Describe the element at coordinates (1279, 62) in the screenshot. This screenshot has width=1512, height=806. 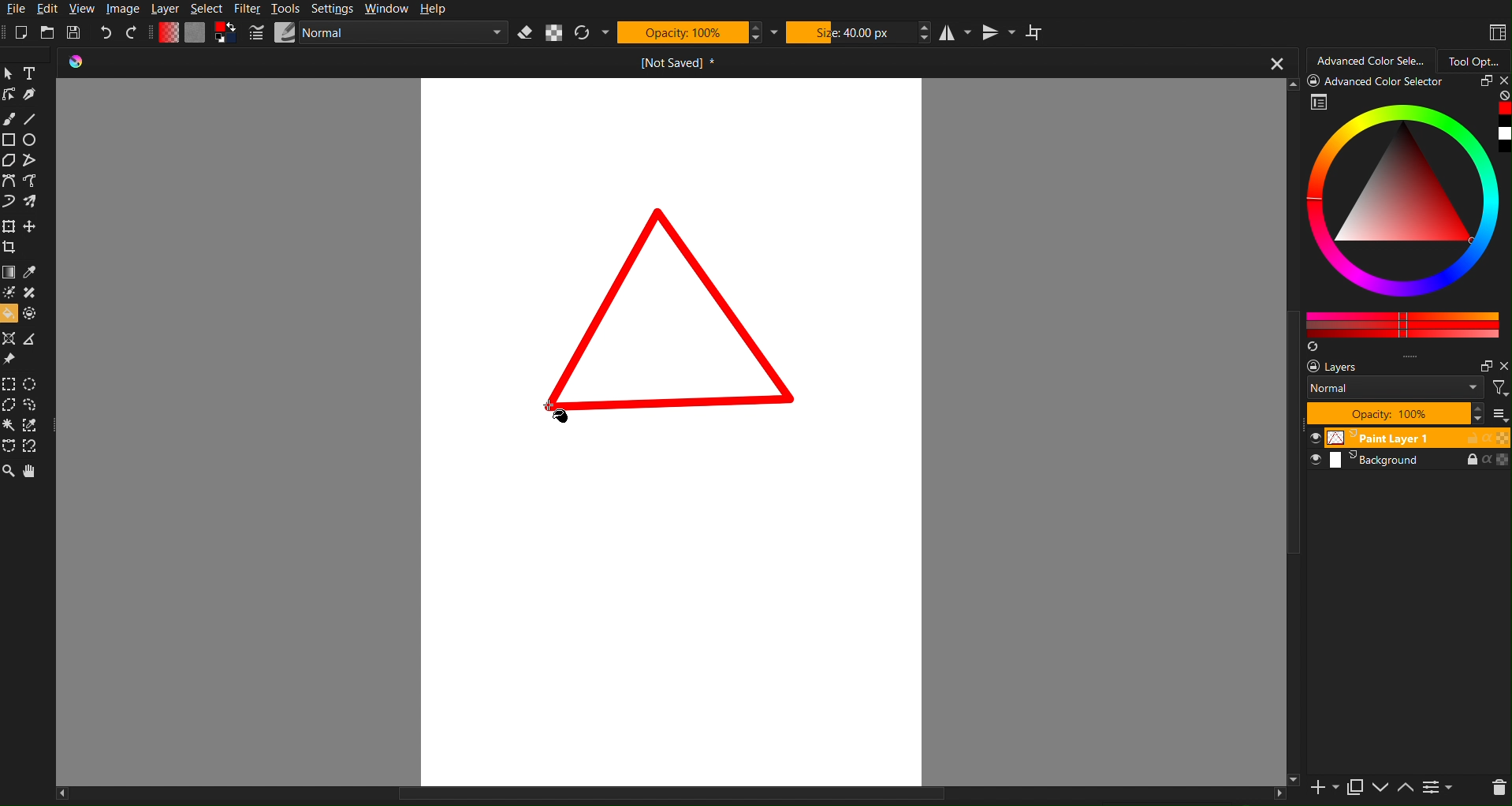
I see `close button` at that location.